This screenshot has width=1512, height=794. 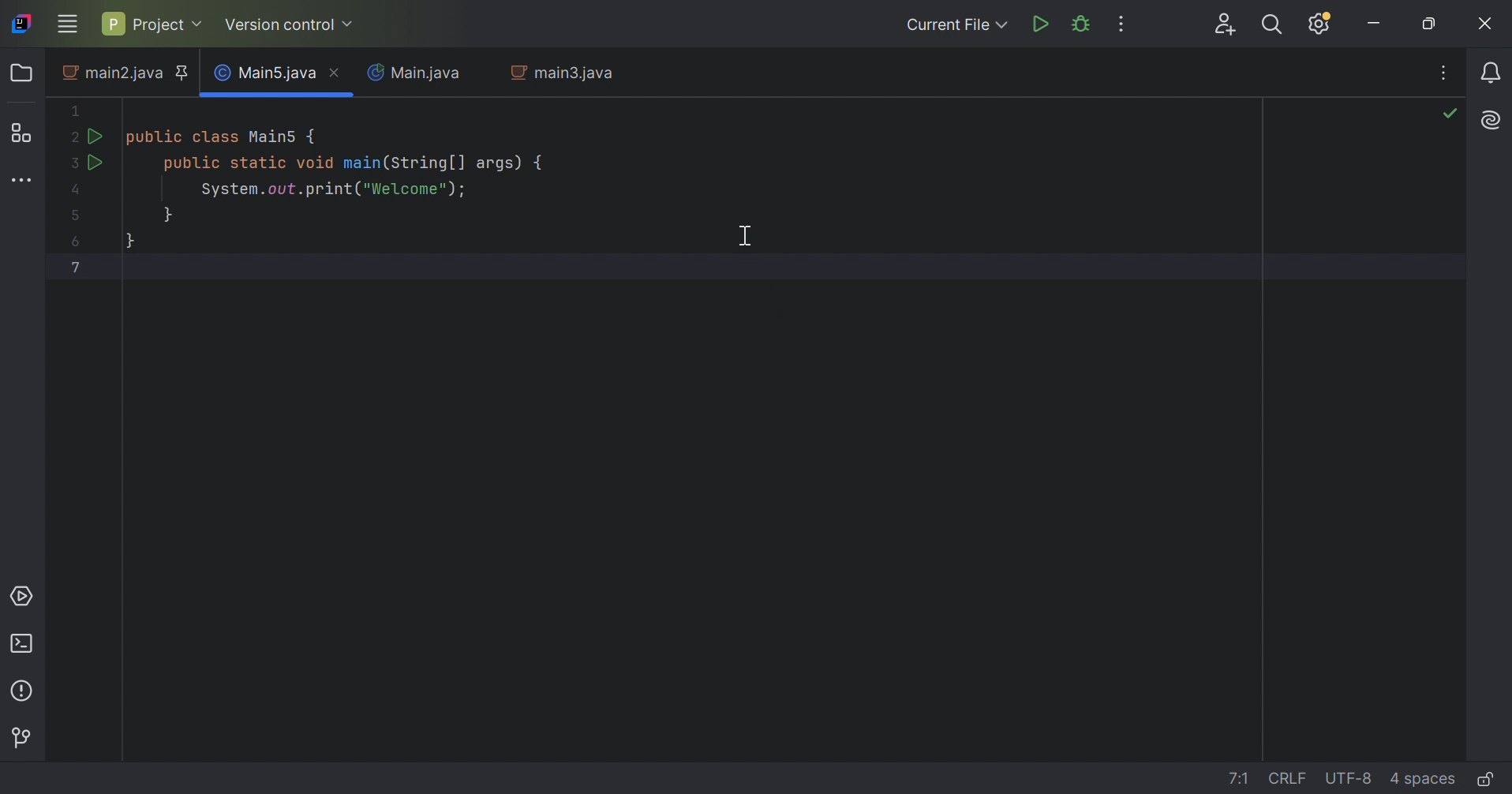 I want to click on Search everywhere, so click(x=1225, y=24).